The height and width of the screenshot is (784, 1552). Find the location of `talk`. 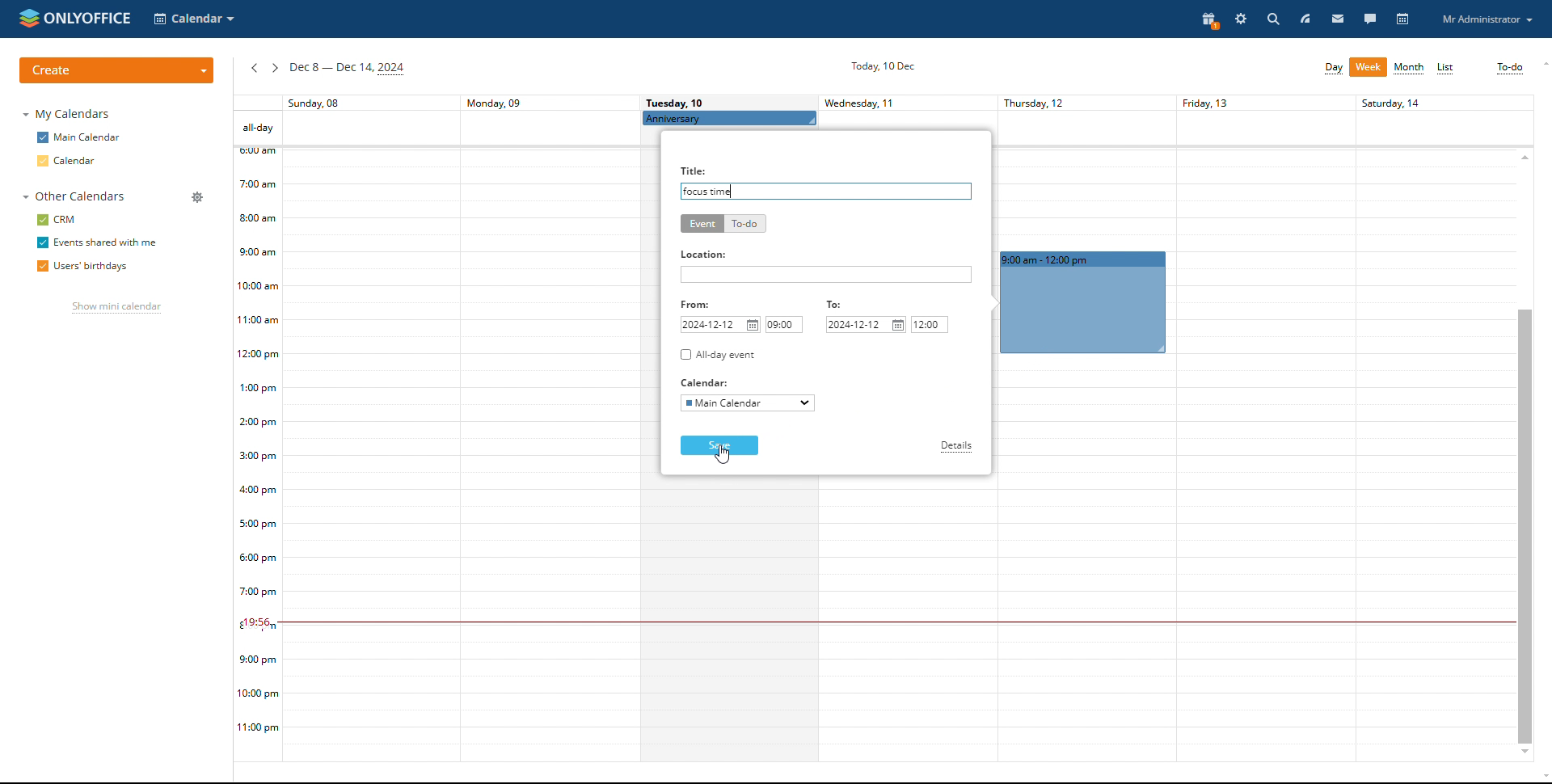

talk is located at coordinates (1371, 19).